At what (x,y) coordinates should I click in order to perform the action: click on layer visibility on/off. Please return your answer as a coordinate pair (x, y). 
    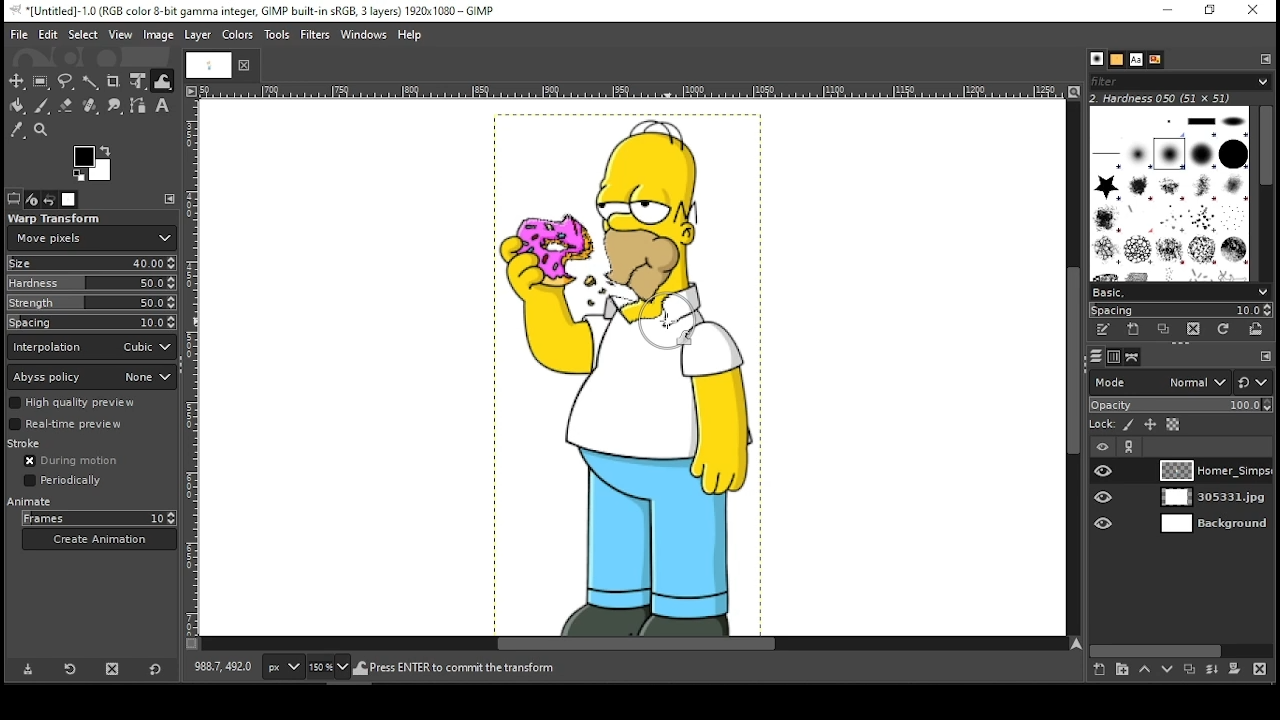
    Looking at the image, I should click on (1104, 525).